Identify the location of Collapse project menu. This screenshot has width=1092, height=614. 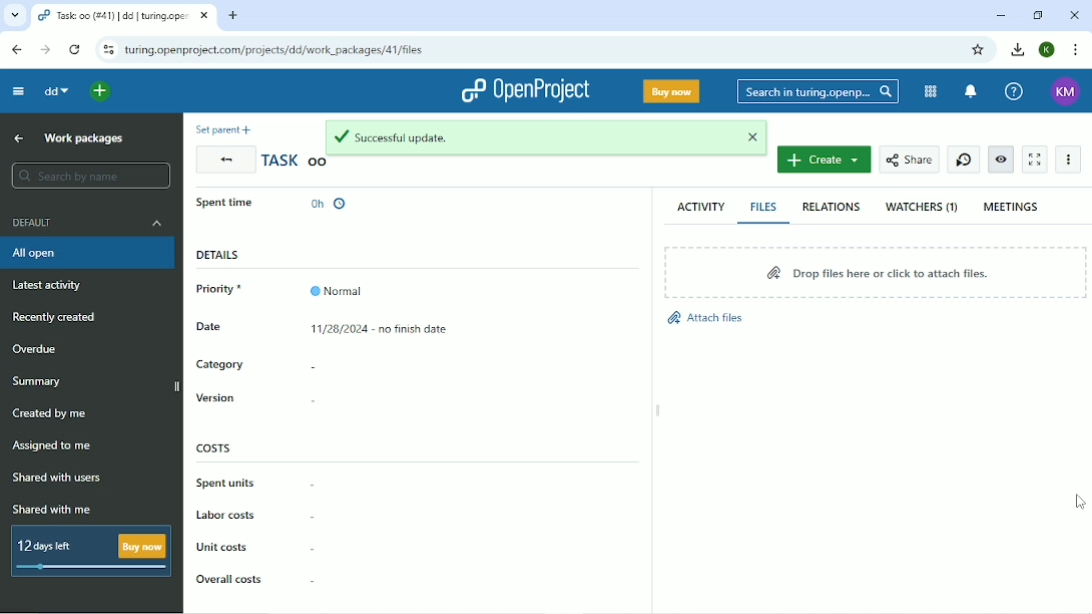
(19, 91).